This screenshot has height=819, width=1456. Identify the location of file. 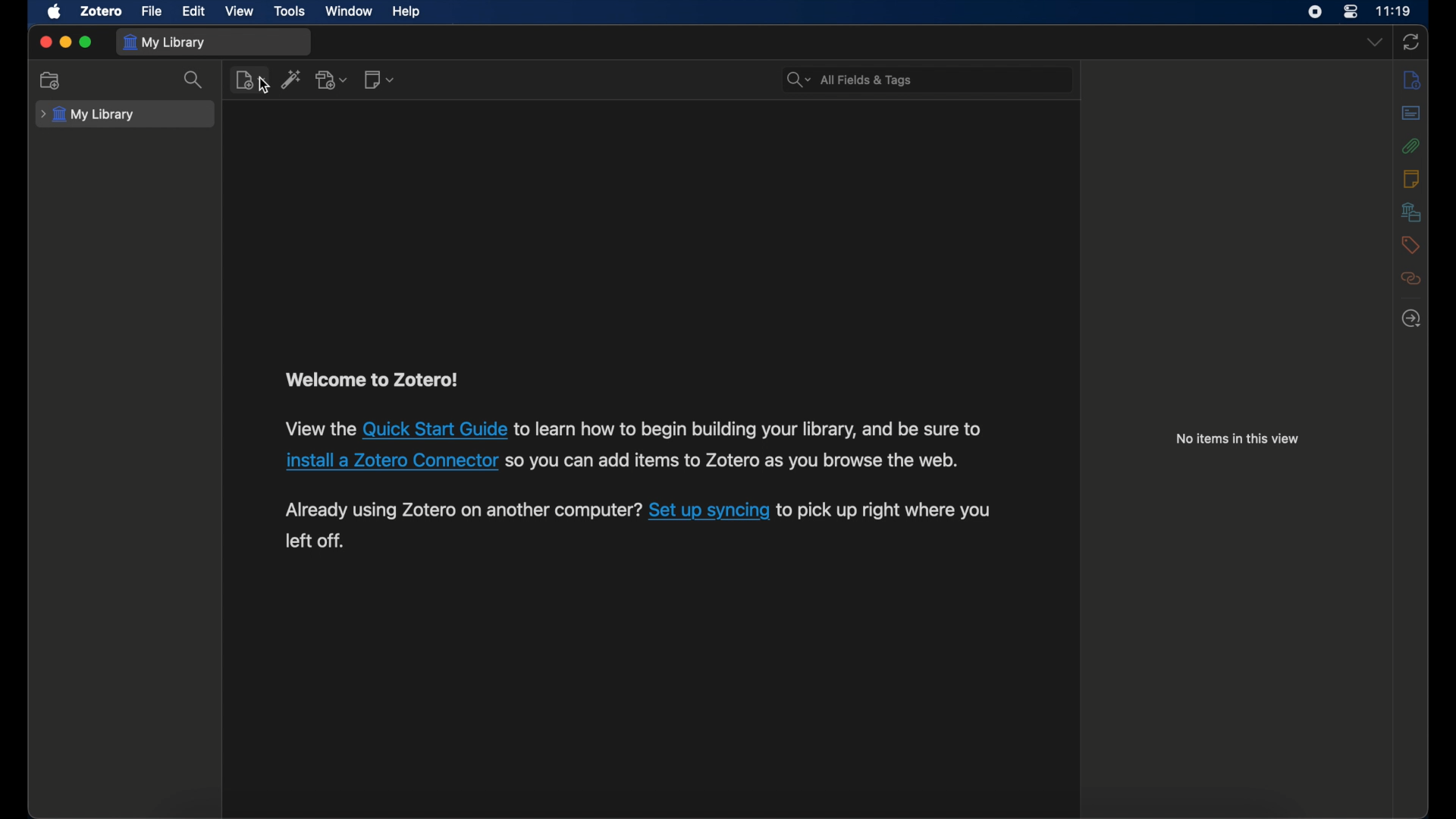
(152, 12).